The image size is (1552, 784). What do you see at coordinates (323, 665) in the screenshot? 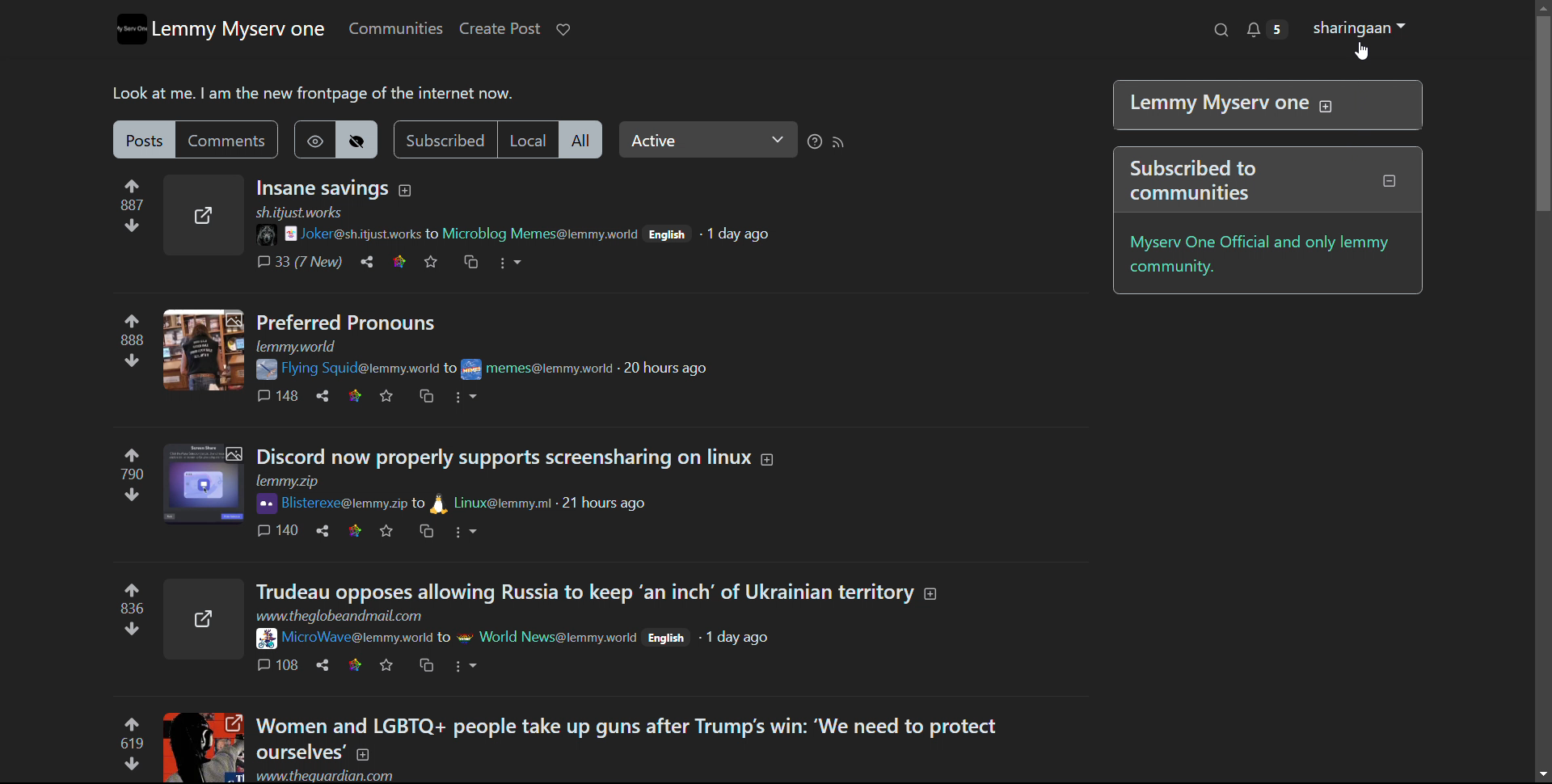
I see `share` at bounding box center [323, 665].